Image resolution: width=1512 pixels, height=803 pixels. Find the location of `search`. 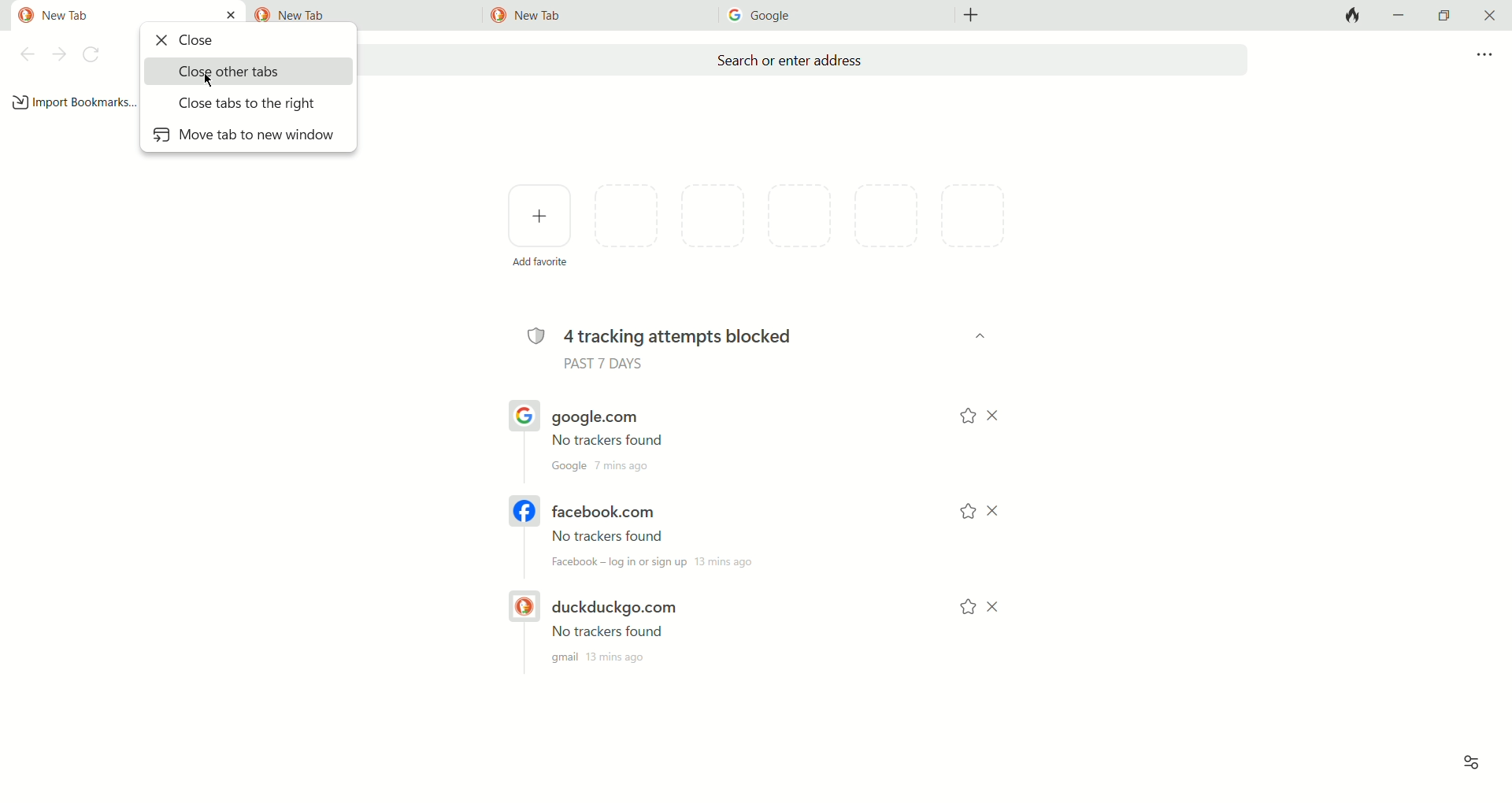

search is located at coordinates (821, 59).